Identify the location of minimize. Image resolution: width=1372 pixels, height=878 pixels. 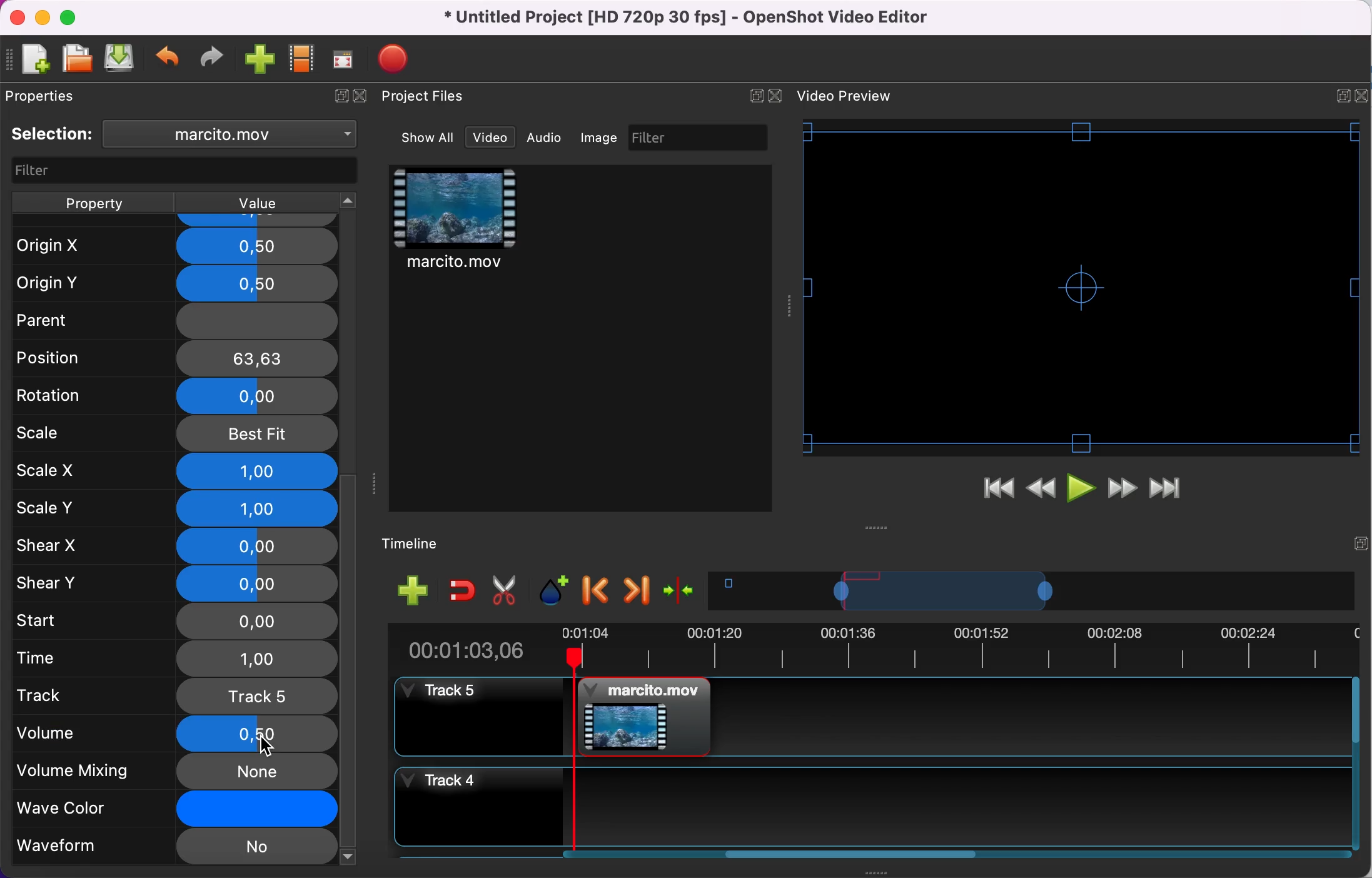
(42, 17).